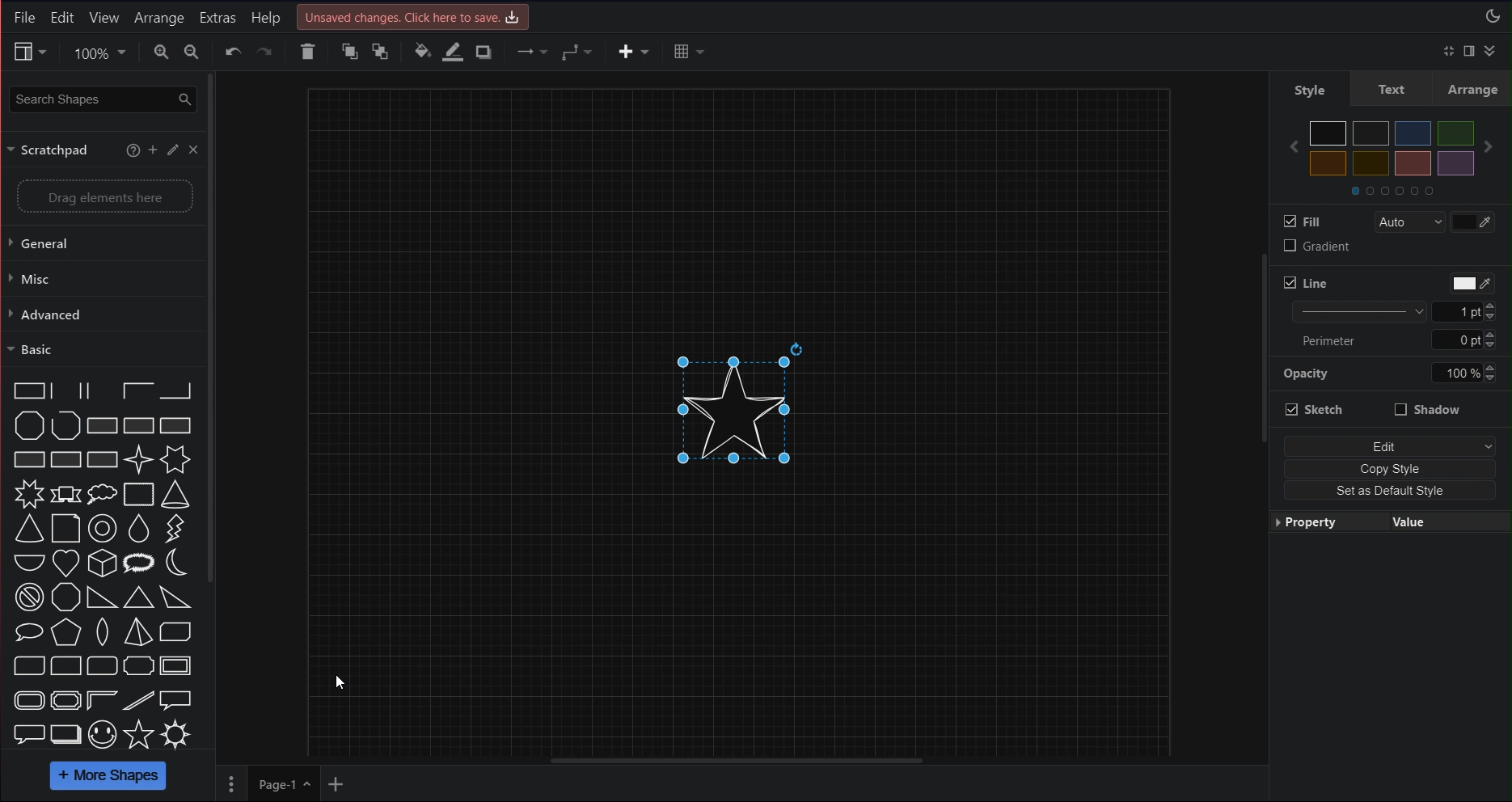  Describe the element at coordinates (101, 494) in the screenshot. I see `cloud callout` at that location.